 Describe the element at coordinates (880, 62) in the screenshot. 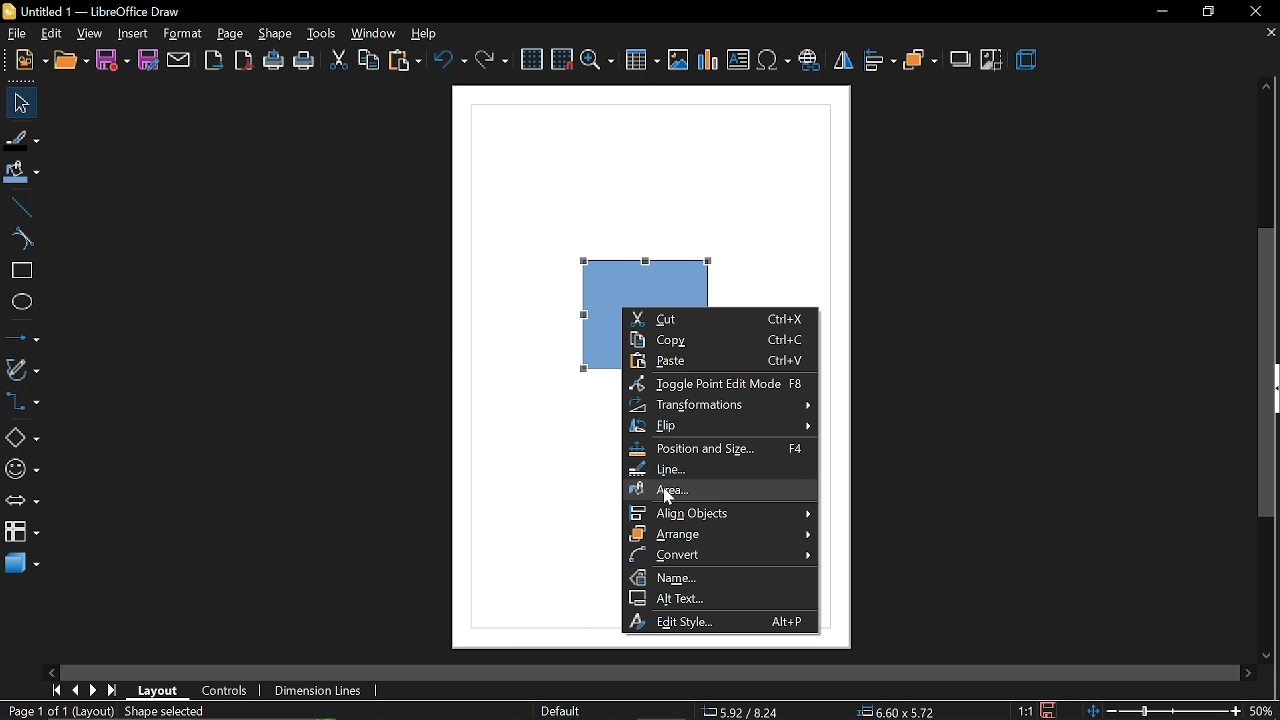

I see `align` at that location.